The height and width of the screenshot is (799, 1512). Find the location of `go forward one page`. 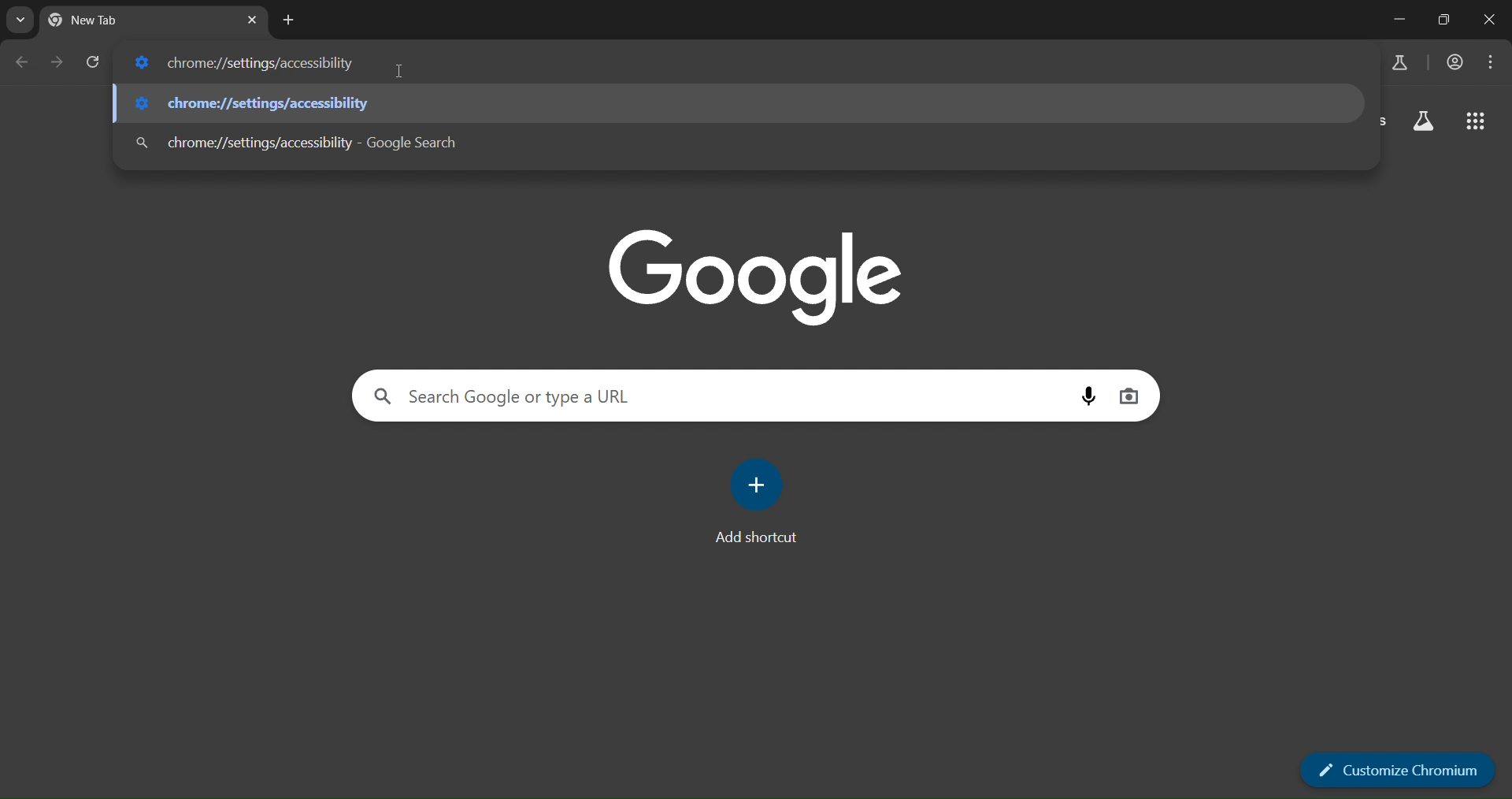

go forward one page is located at coordinates (57, 64).